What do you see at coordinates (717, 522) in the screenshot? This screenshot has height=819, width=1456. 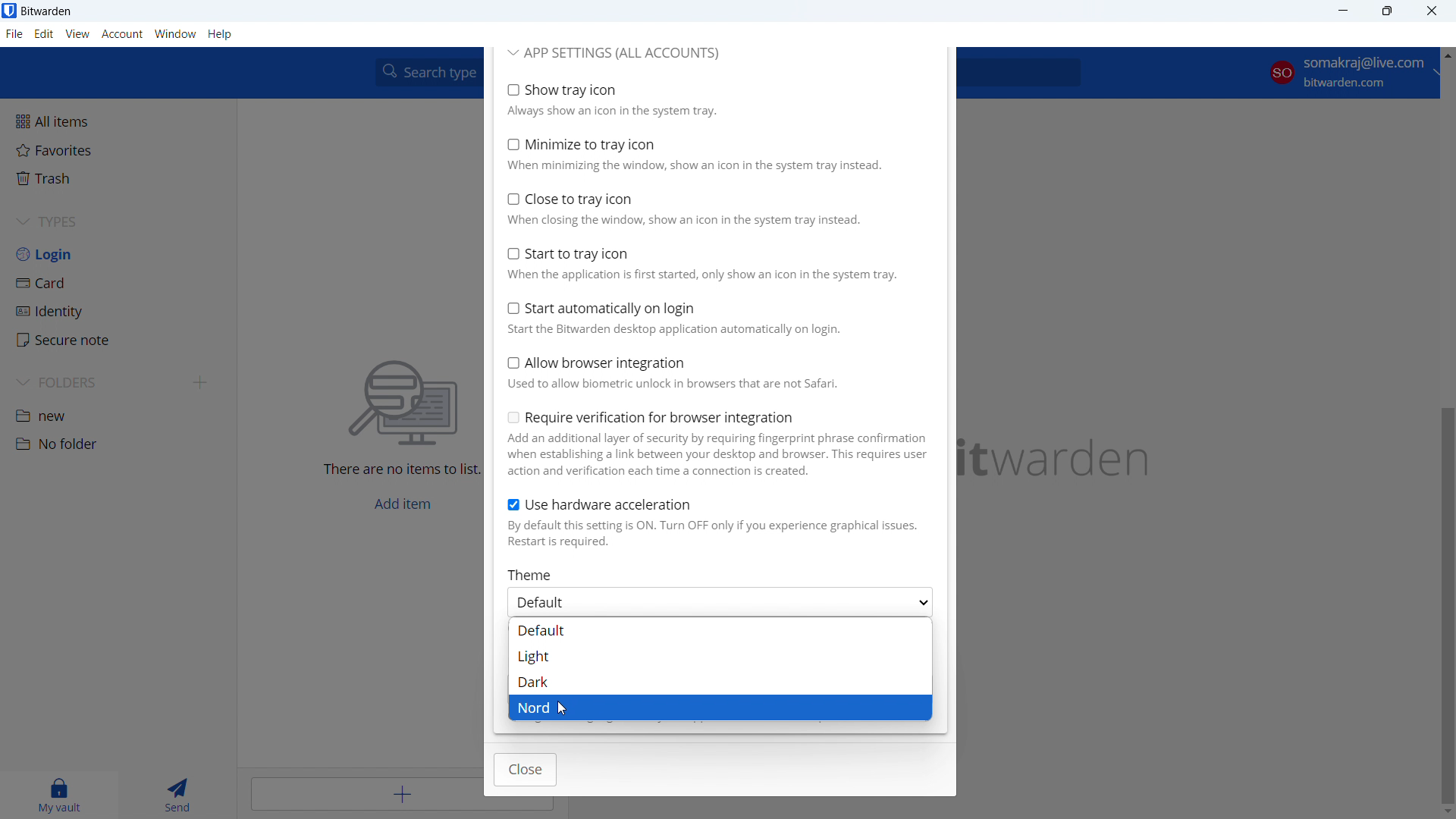 I see `use hardware acceleration` at bounding box center [717, 522].